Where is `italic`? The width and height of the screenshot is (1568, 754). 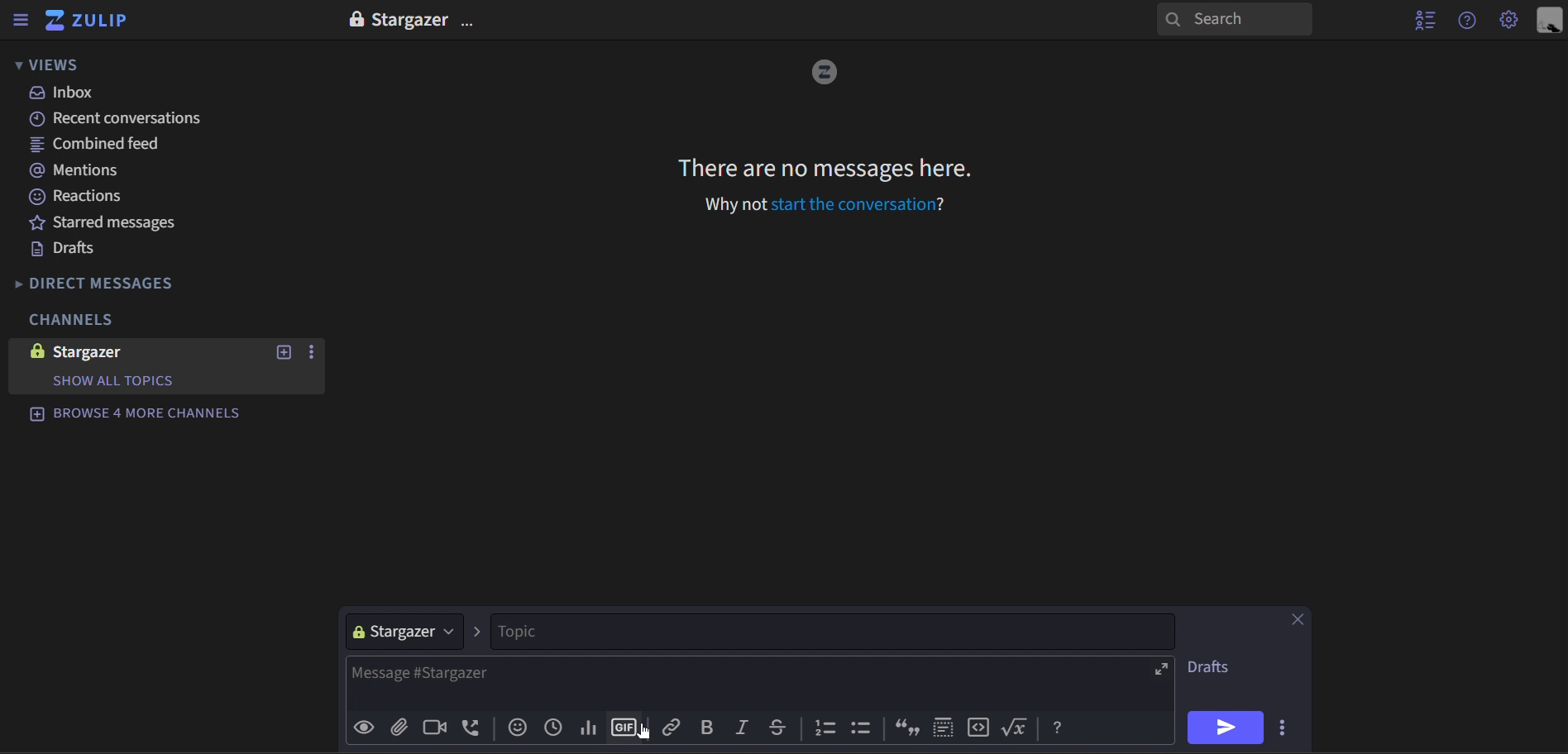 italic is located at coordinates (745, 730).